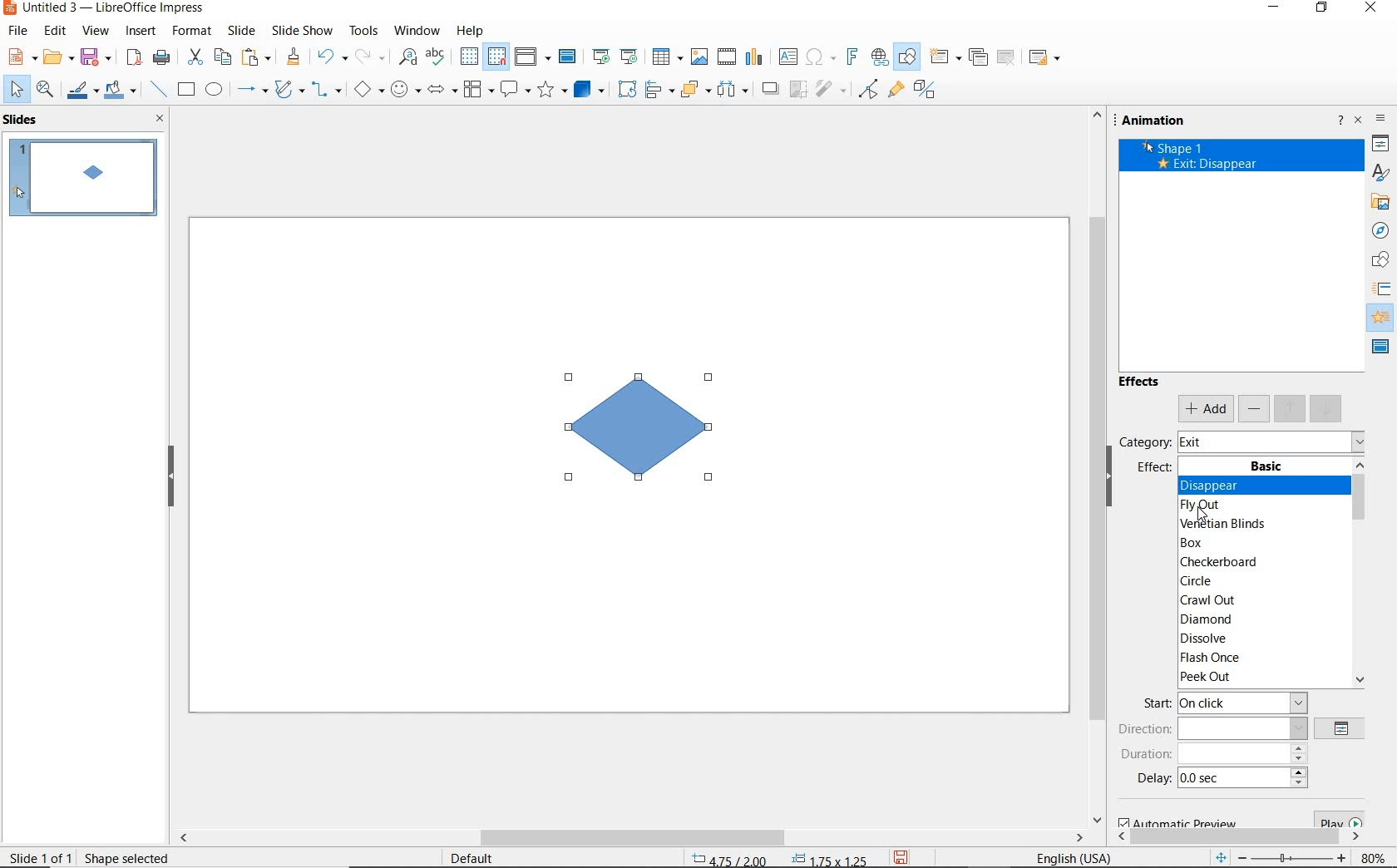  What do you see at coordinates (106, 8) in the screenshot?
I see `file name` at bounding box center [106, 8].